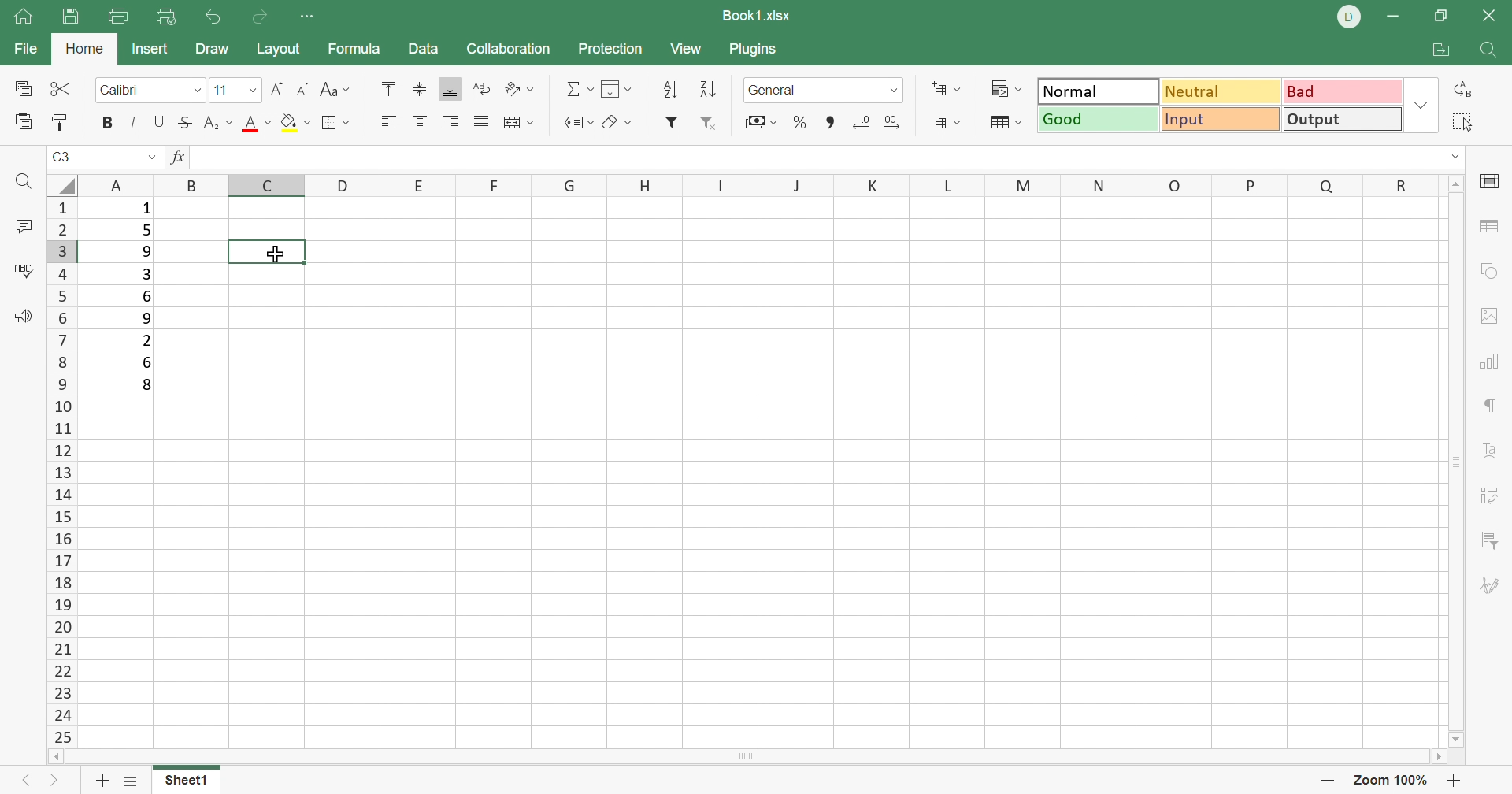  I want to click on 9, so click(150, 251).